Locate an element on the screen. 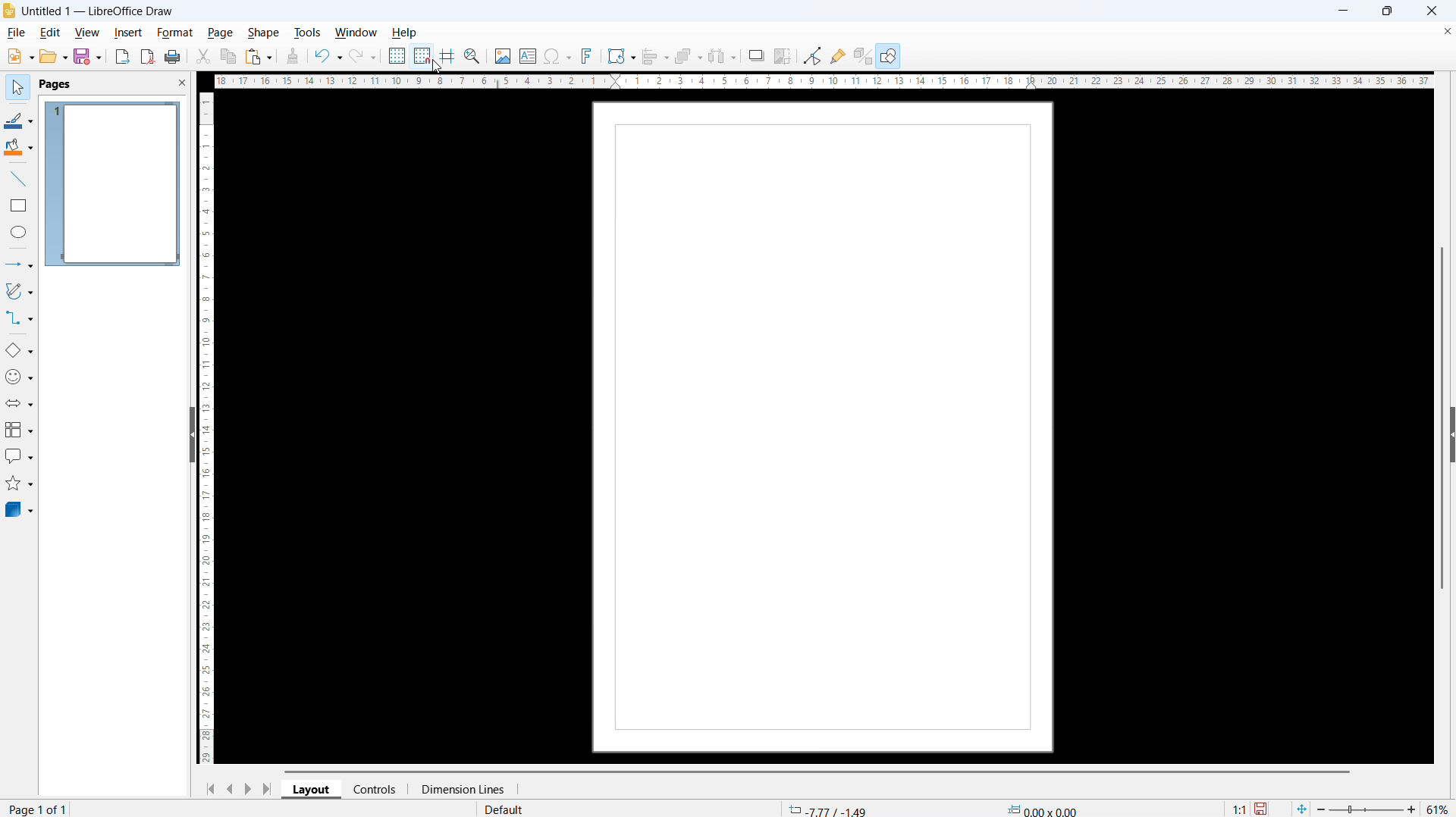  Insert symbols  is located at coordinates (560, 55).